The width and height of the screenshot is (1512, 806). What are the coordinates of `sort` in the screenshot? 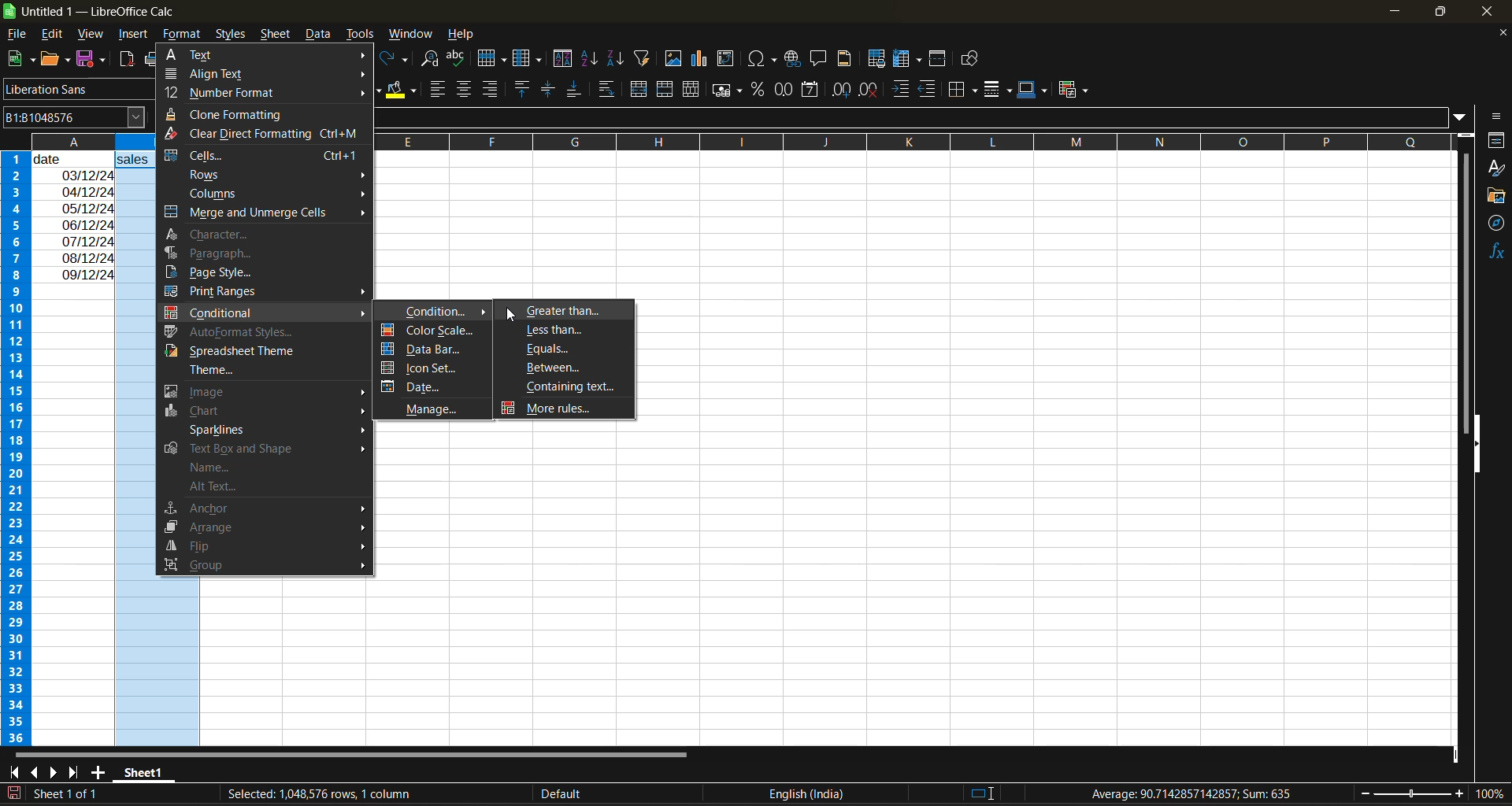 It's located at (562, 58).